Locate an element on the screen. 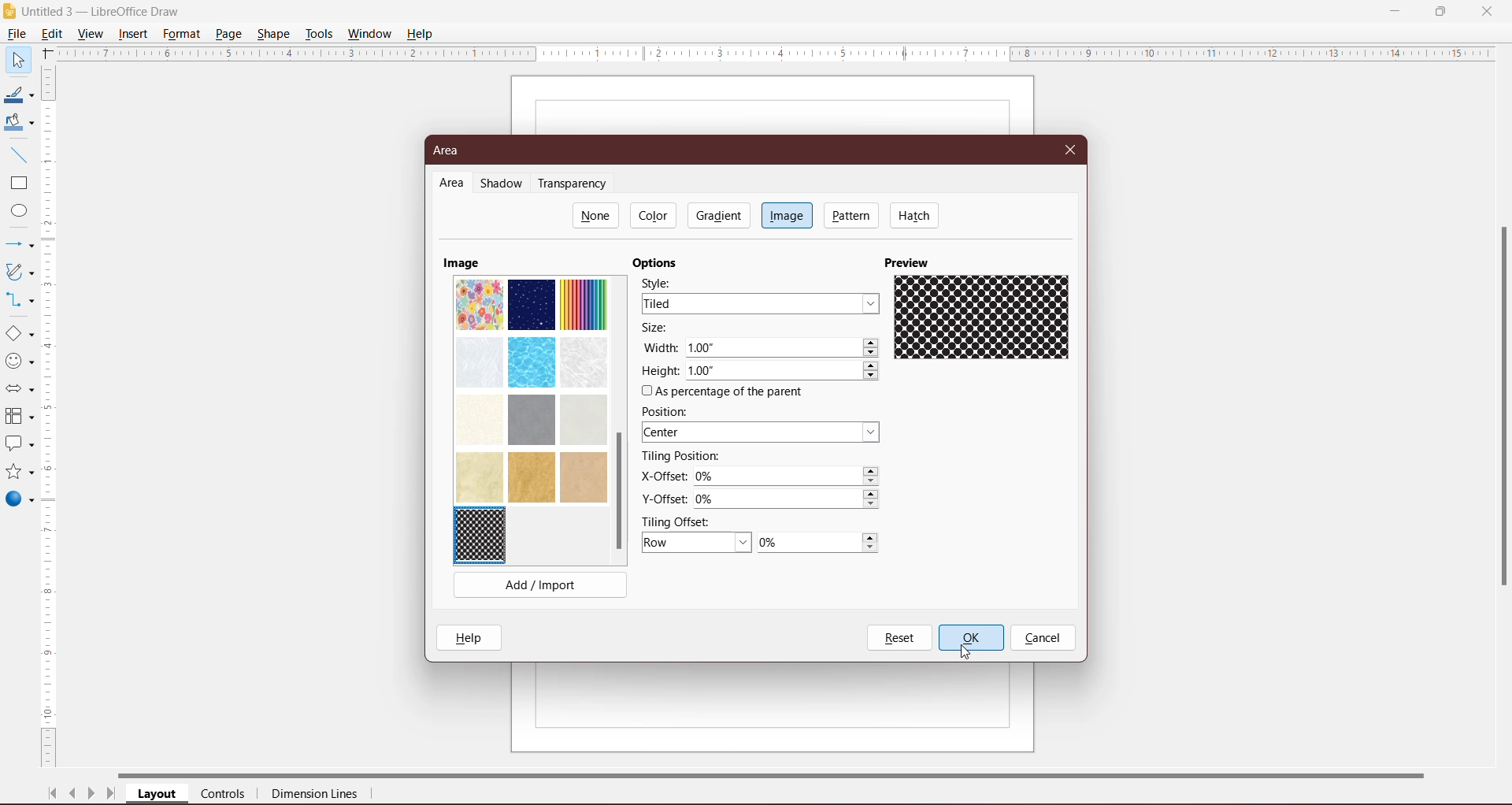  Insert is located at coordinates (134, 34).